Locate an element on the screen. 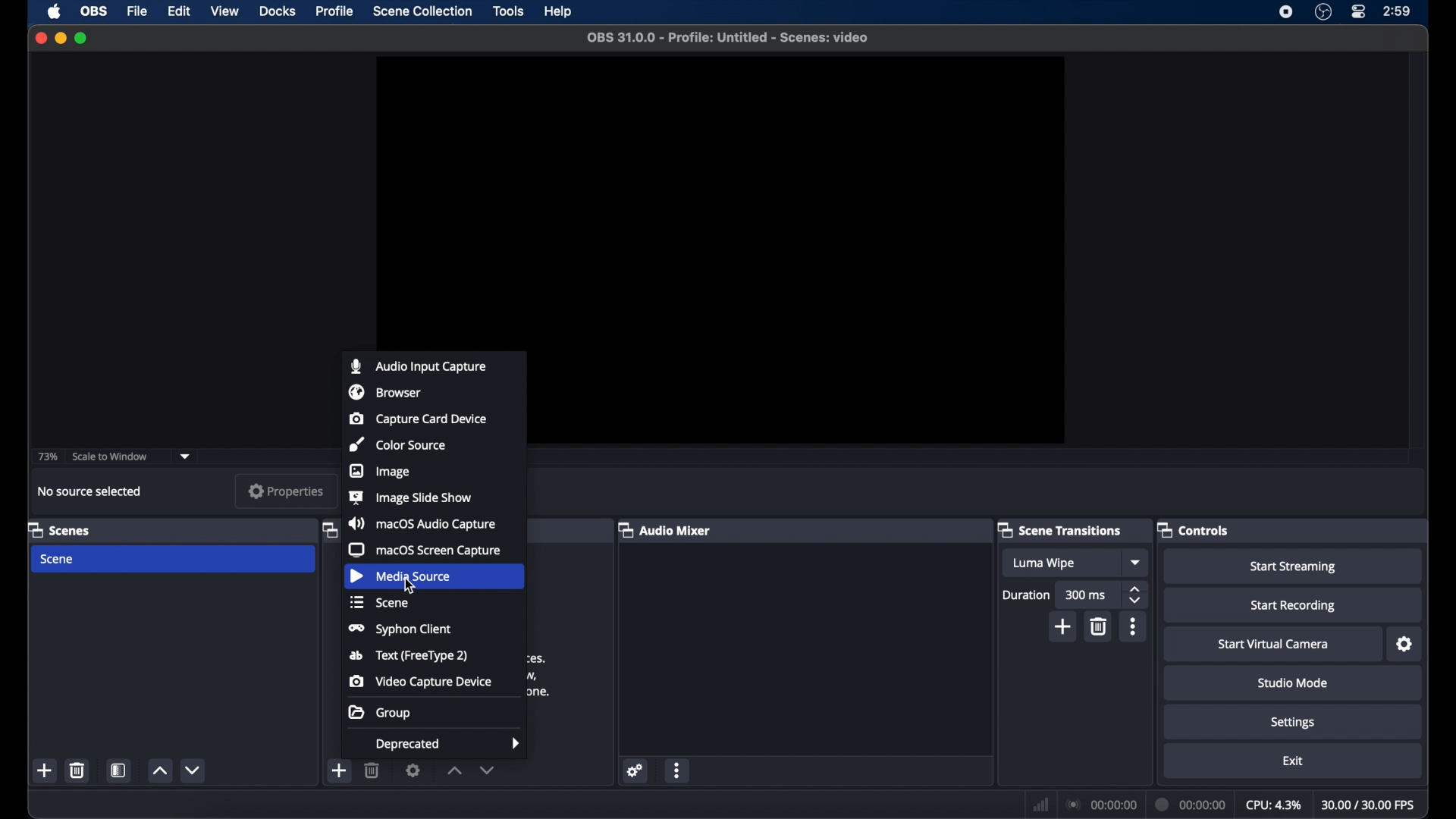 This screenshot has height=819, width=1456. delete is located at coordinates (372, 770).